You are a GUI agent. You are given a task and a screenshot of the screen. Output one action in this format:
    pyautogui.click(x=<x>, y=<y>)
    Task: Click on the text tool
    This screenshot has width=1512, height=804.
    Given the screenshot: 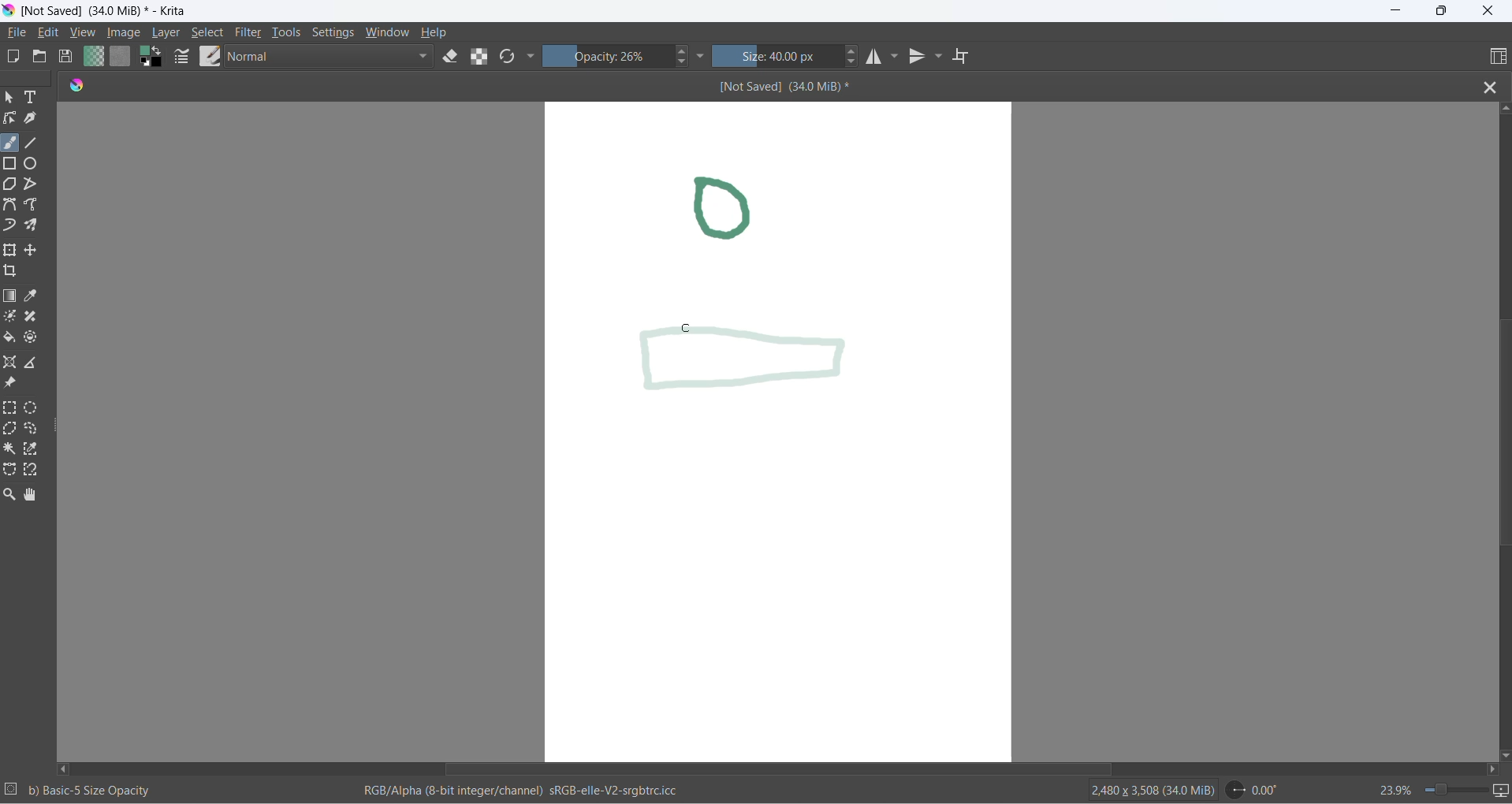 What is the action you would take?
    pyautogui.click(x=39, y=101)
    